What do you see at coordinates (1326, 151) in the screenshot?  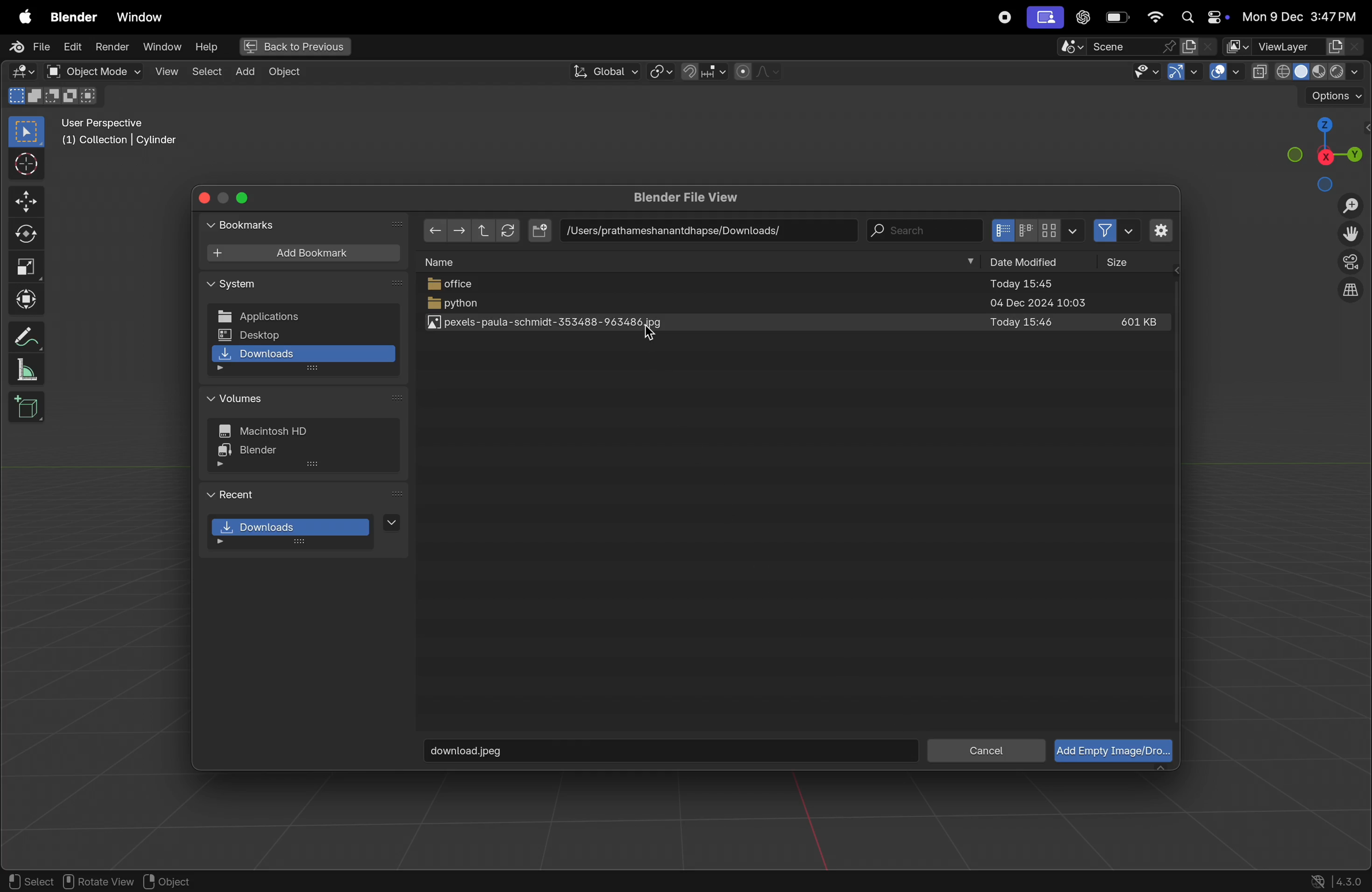 I see `view point` at bounding box center [1326, 151].